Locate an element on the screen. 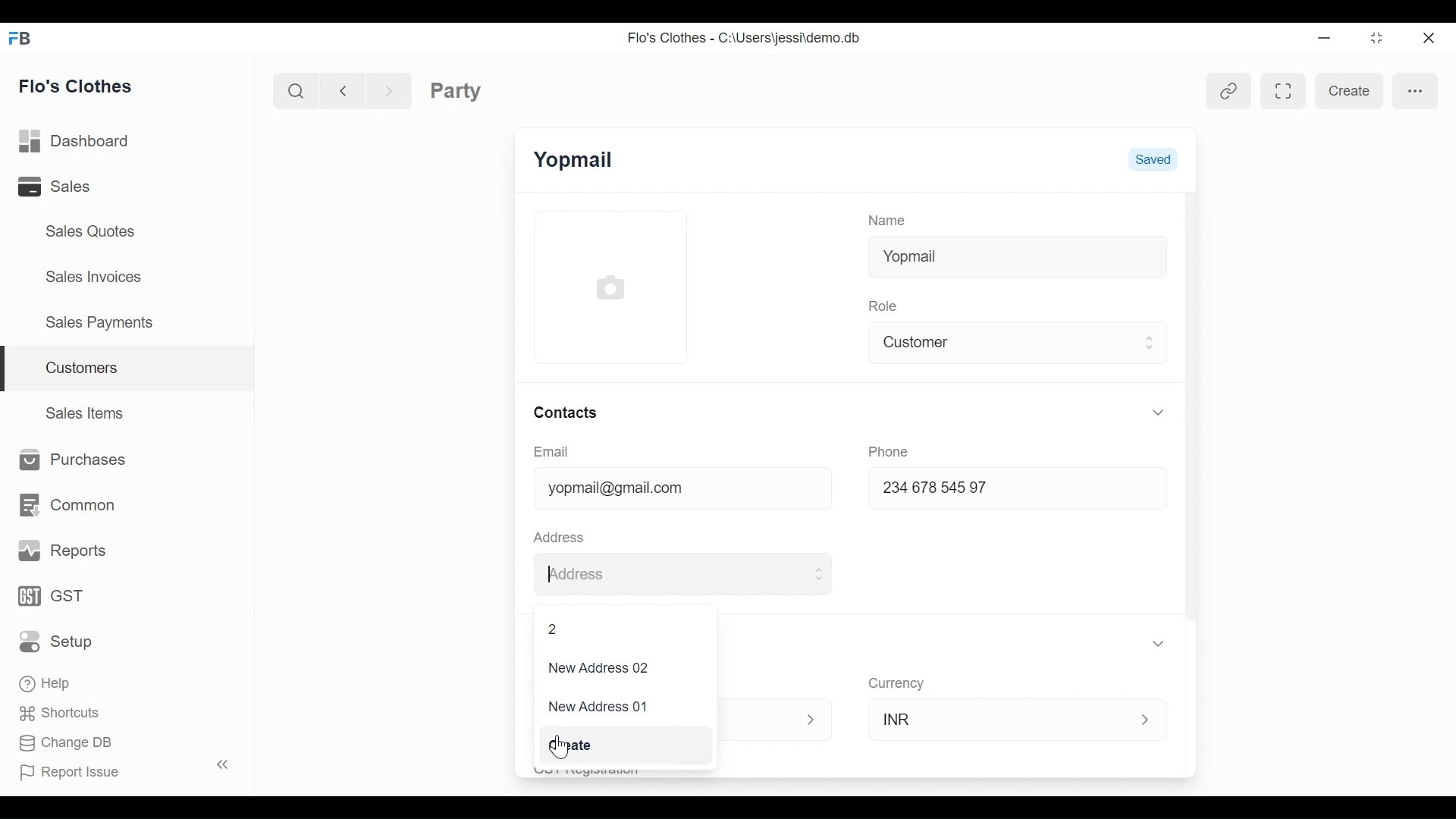  Yopmail is located at coordinates (1019, 257).